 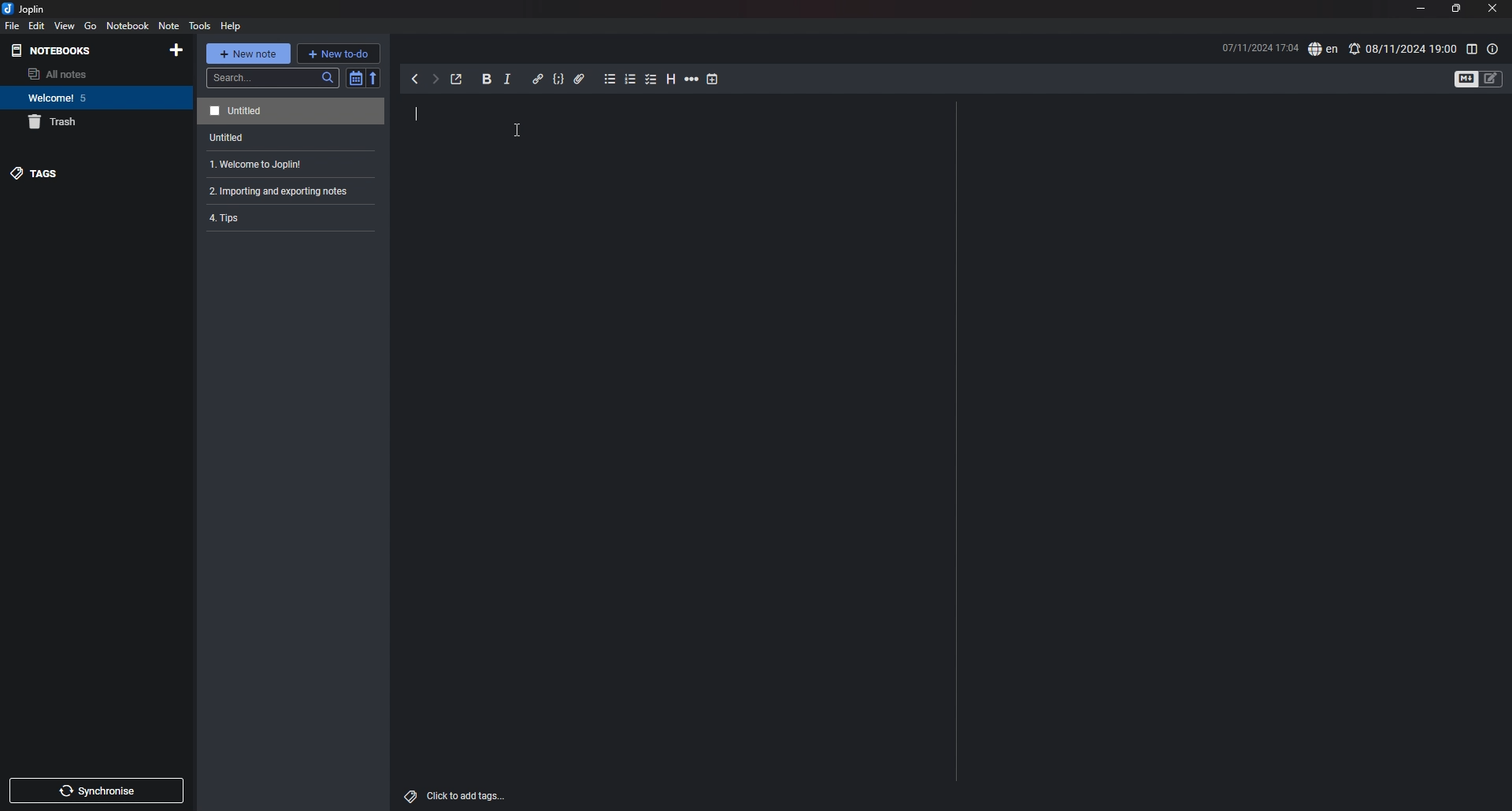 What do you see at coordinates (1251, 46) in the screenshot?
I see `date and time` at bounding box center [1251, 46].